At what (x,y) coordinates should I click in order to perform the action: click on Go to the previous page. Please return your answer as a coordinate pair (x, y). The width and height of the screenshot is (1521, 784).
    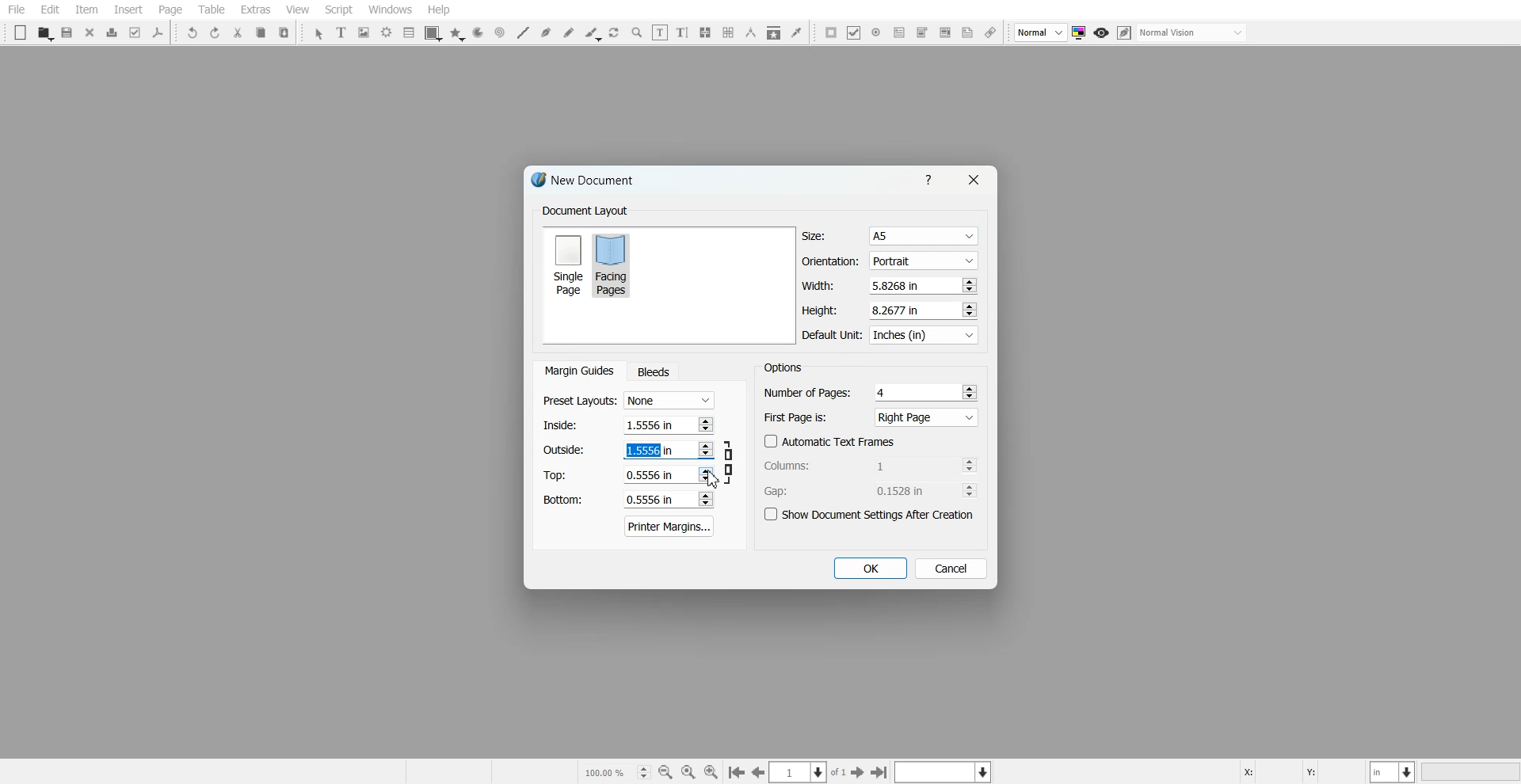
    Looking at the image, I should click on (758, 772).